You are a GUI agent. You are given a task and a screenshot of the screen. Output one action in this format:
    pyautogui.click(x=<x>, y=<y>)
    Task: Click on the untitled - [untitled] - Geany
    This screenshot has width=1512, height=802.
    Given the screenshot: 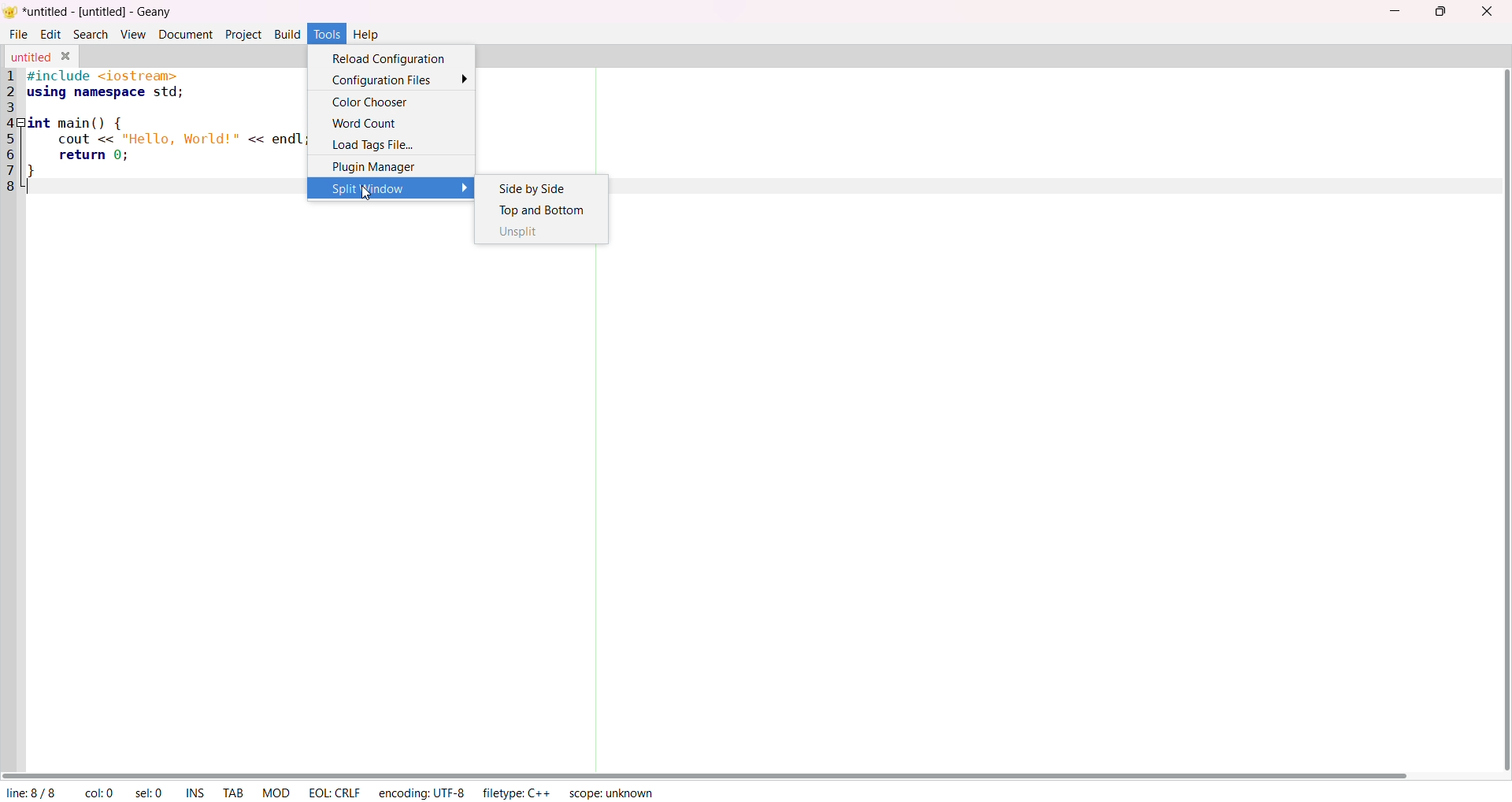 What is the action you would take?
    pyautogui.click(x=98, y=13)
    